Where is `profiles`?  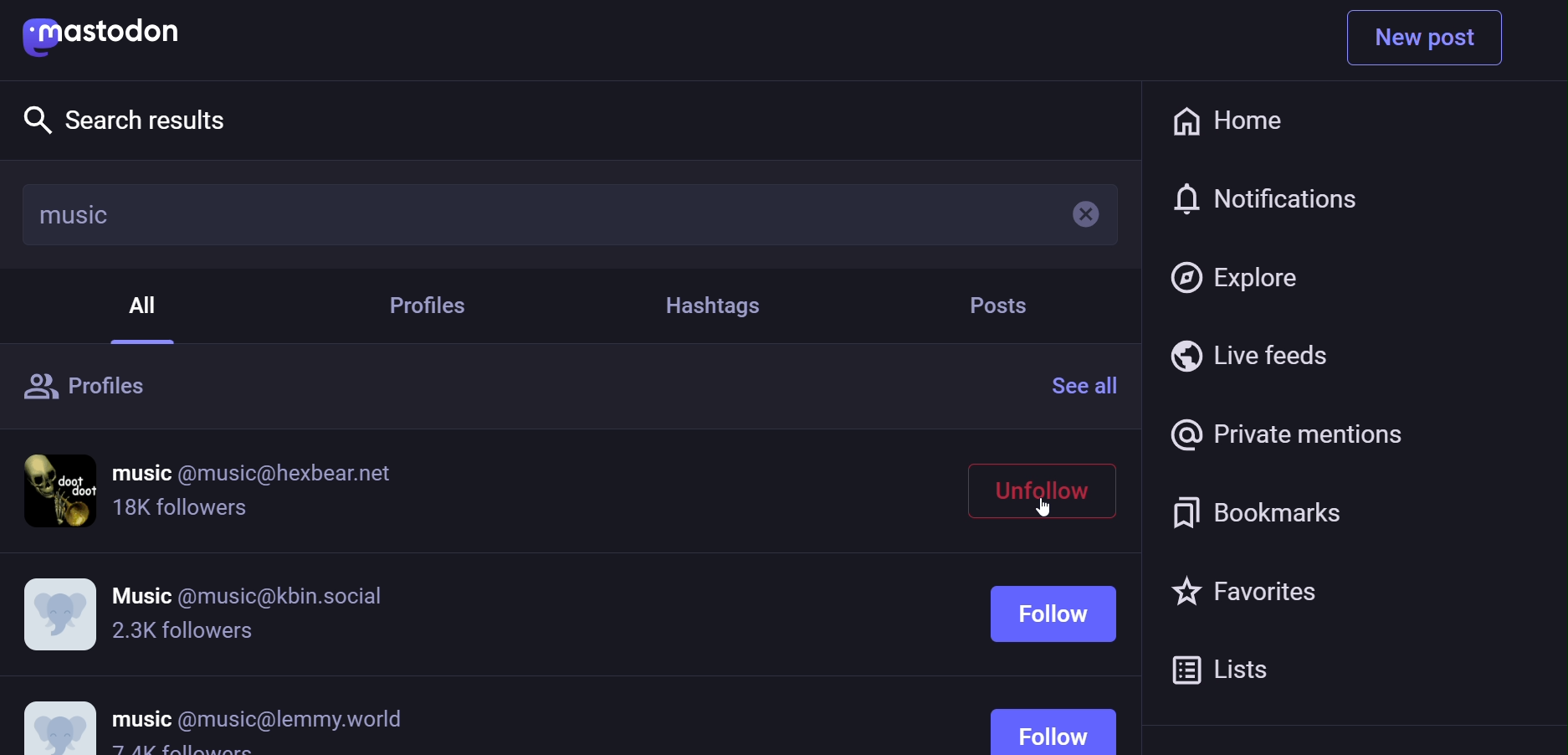 profiles is located at coordinates (436, 307).